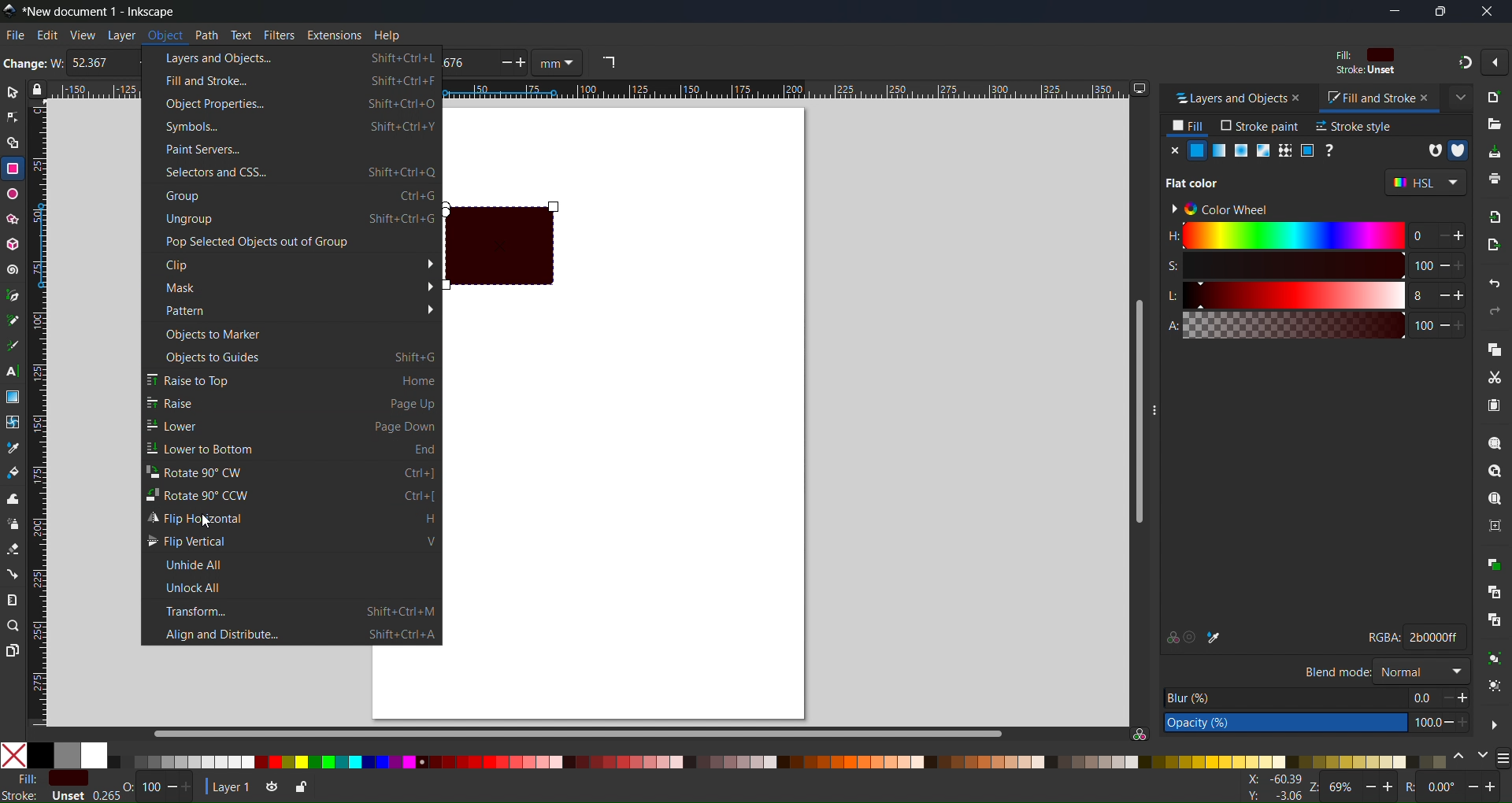  What do you see at coordinates (293, 402) in the screenshot?
I see `Raise` at bounding box center [293, 402].